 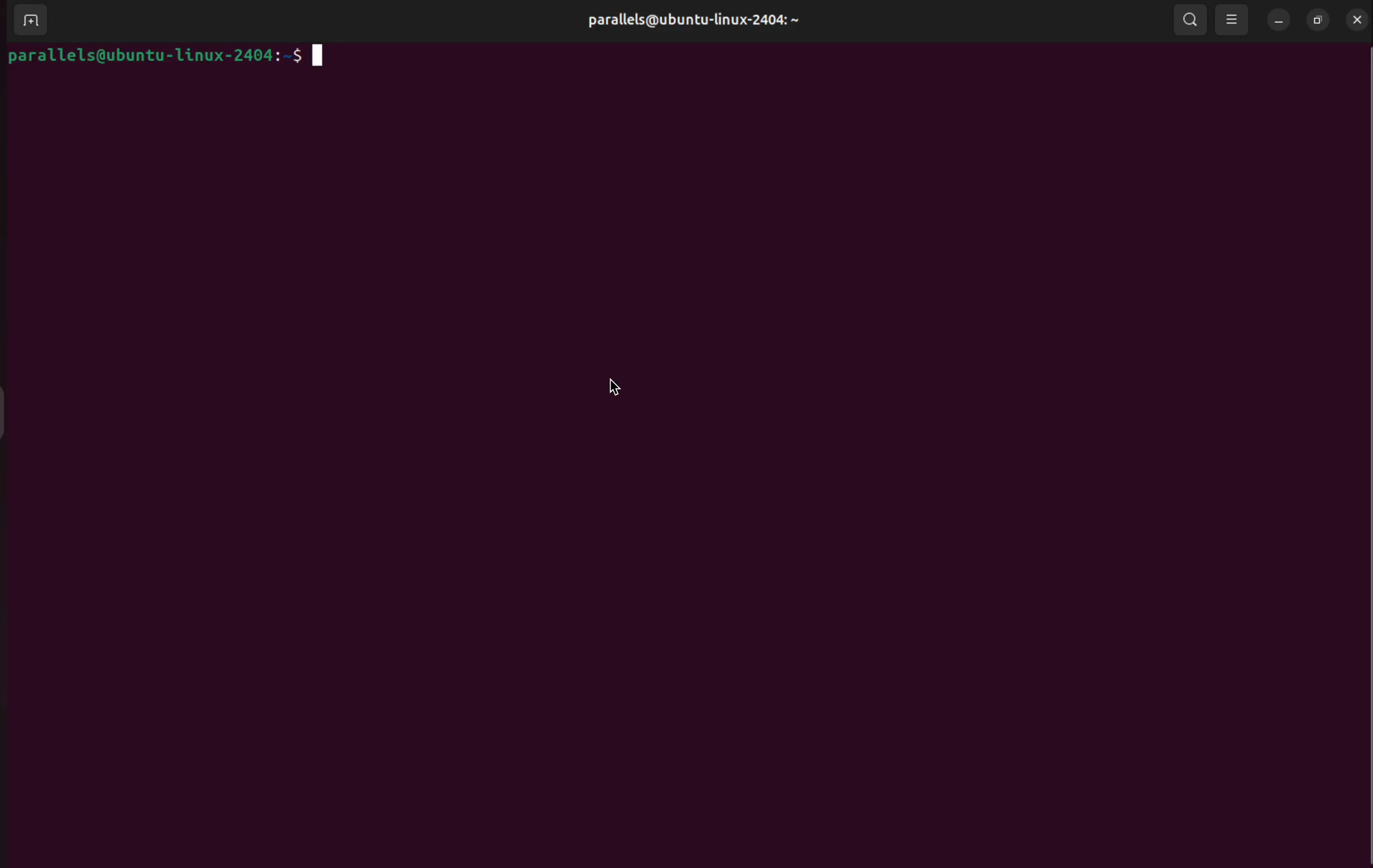 What do you see at coordinates (1191, 19) in the screenshot?
I see `search ` at bounding box center [1191, 19].